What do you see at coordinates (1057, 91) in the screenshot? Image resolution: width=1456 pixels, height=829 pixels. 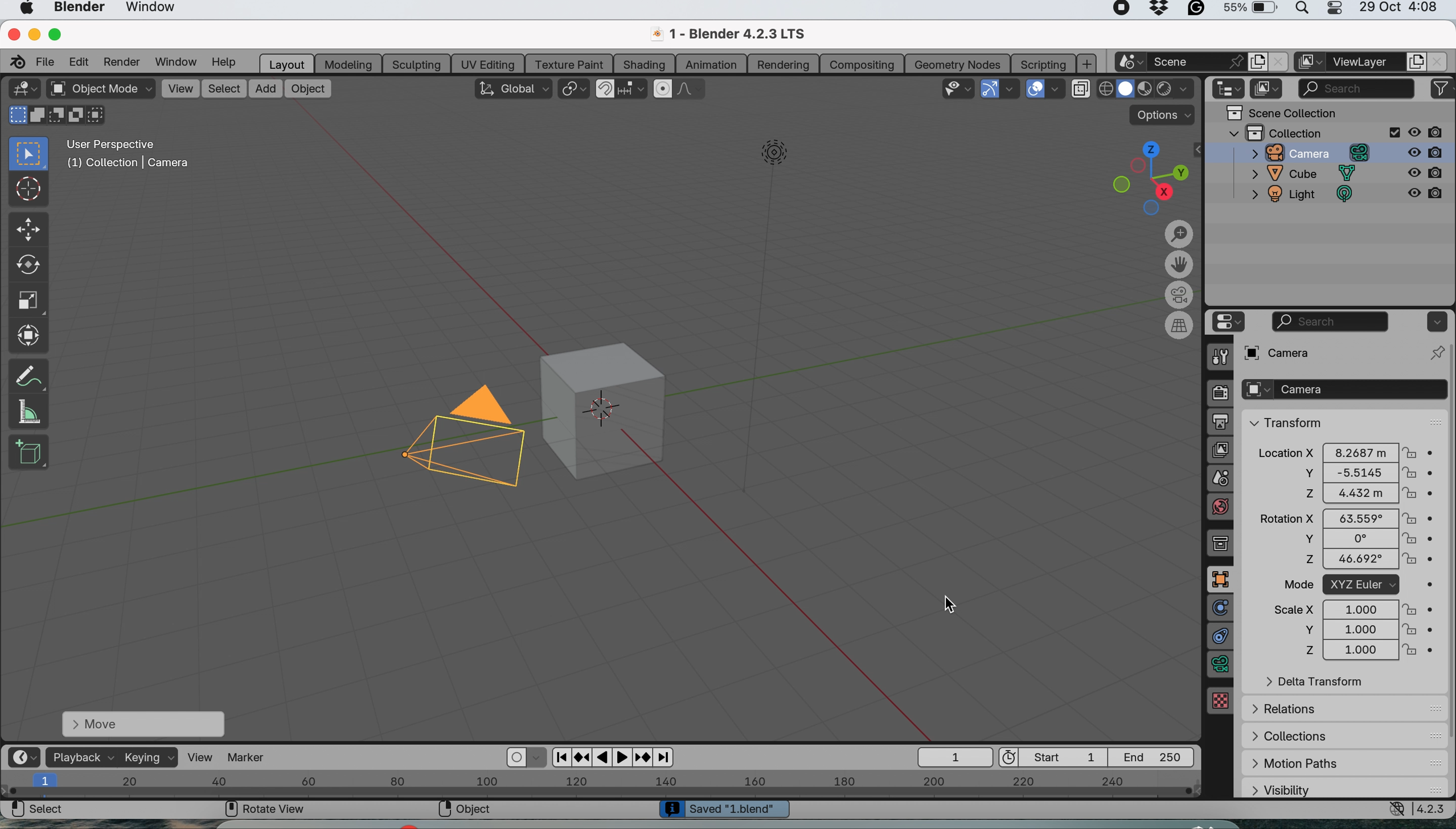 I see `overlays` at bounding box center [1057, 91].